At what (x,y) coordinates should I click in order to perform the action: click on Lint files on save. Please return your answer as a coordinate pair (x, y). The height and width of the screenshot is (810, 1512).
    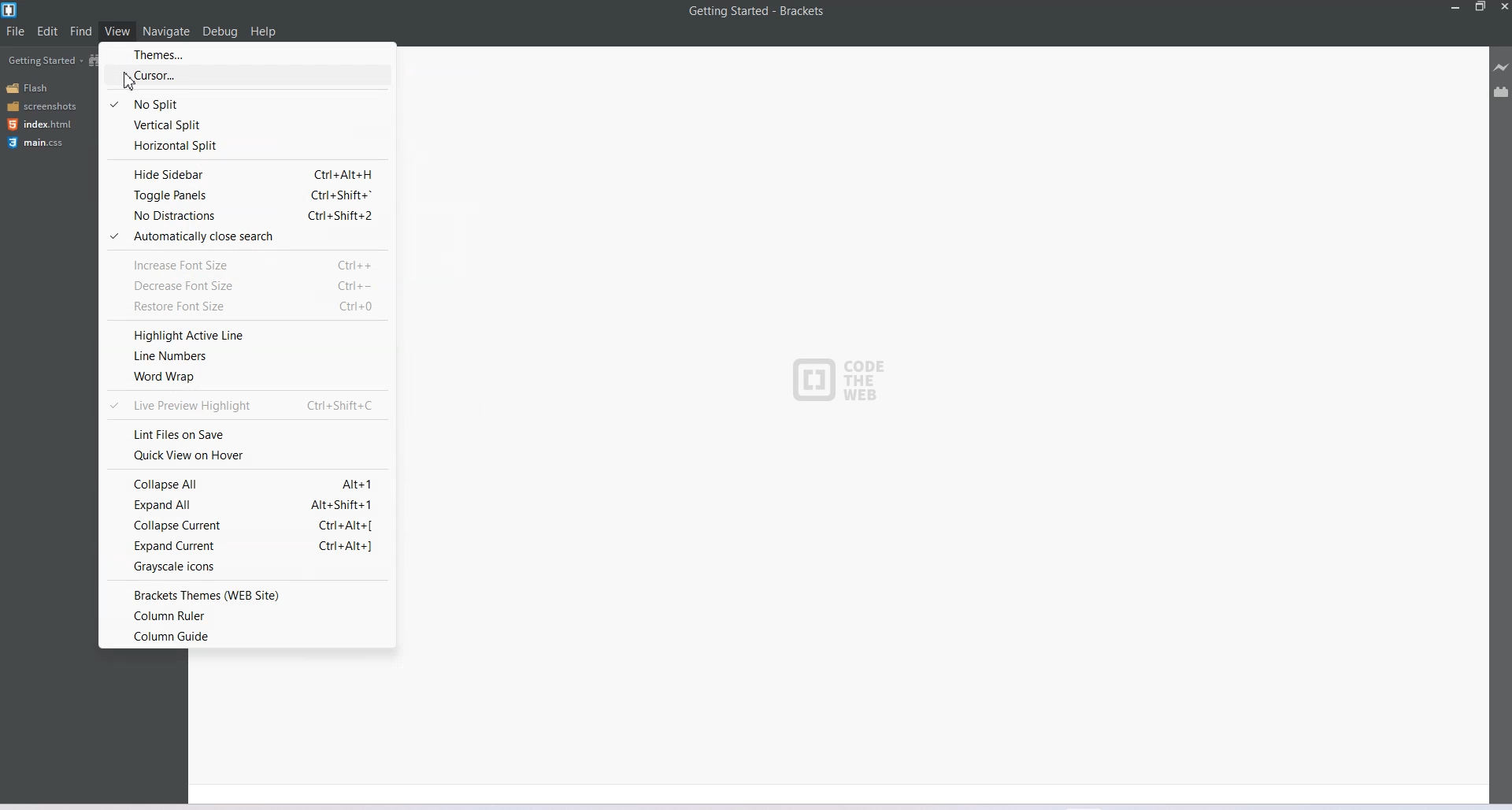
    Looking at the image, I should click on (248, 433).